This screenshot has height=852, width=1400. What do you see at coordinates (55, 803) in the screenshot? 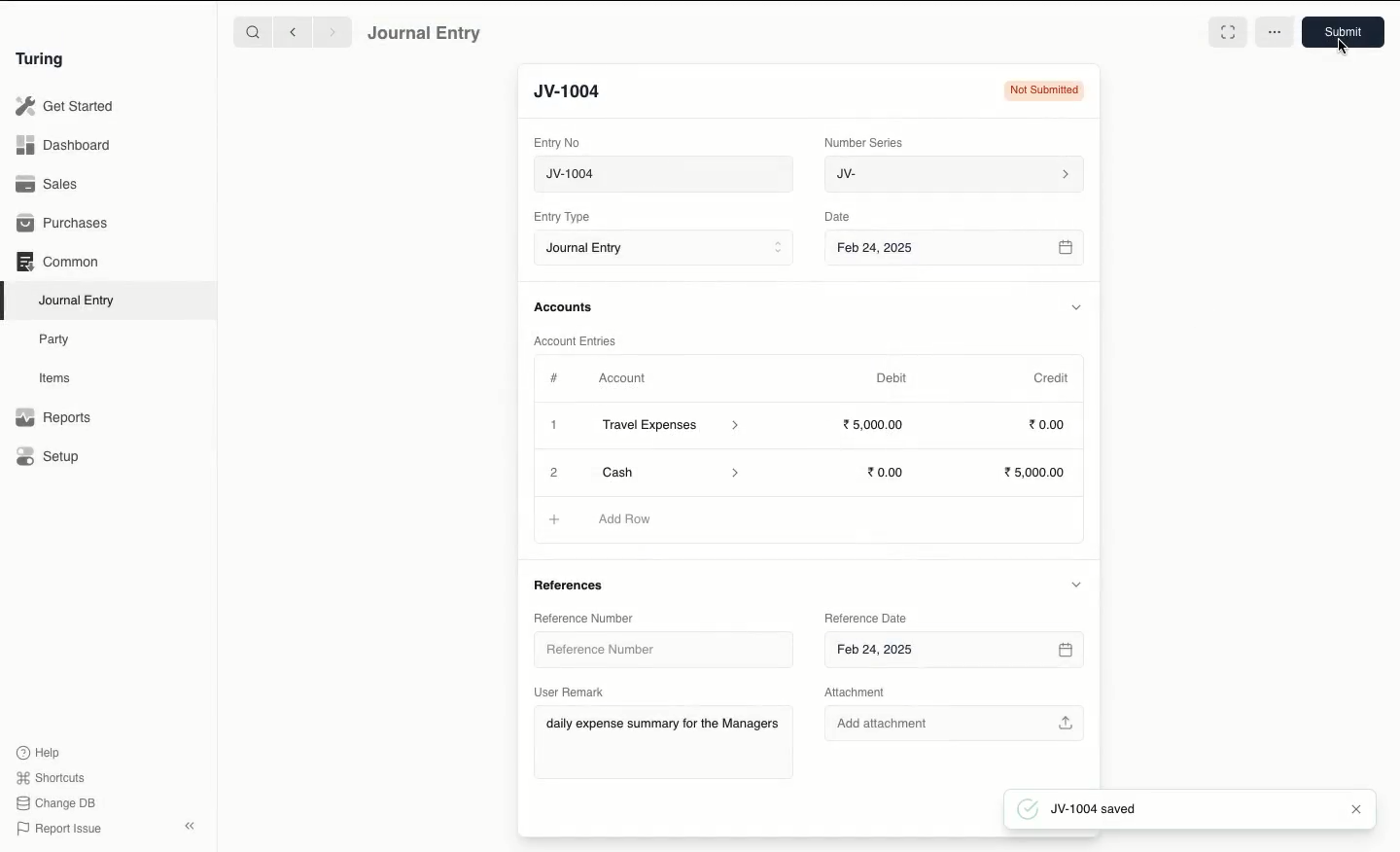
I see `Change DB` at bounding box center [55, 803].